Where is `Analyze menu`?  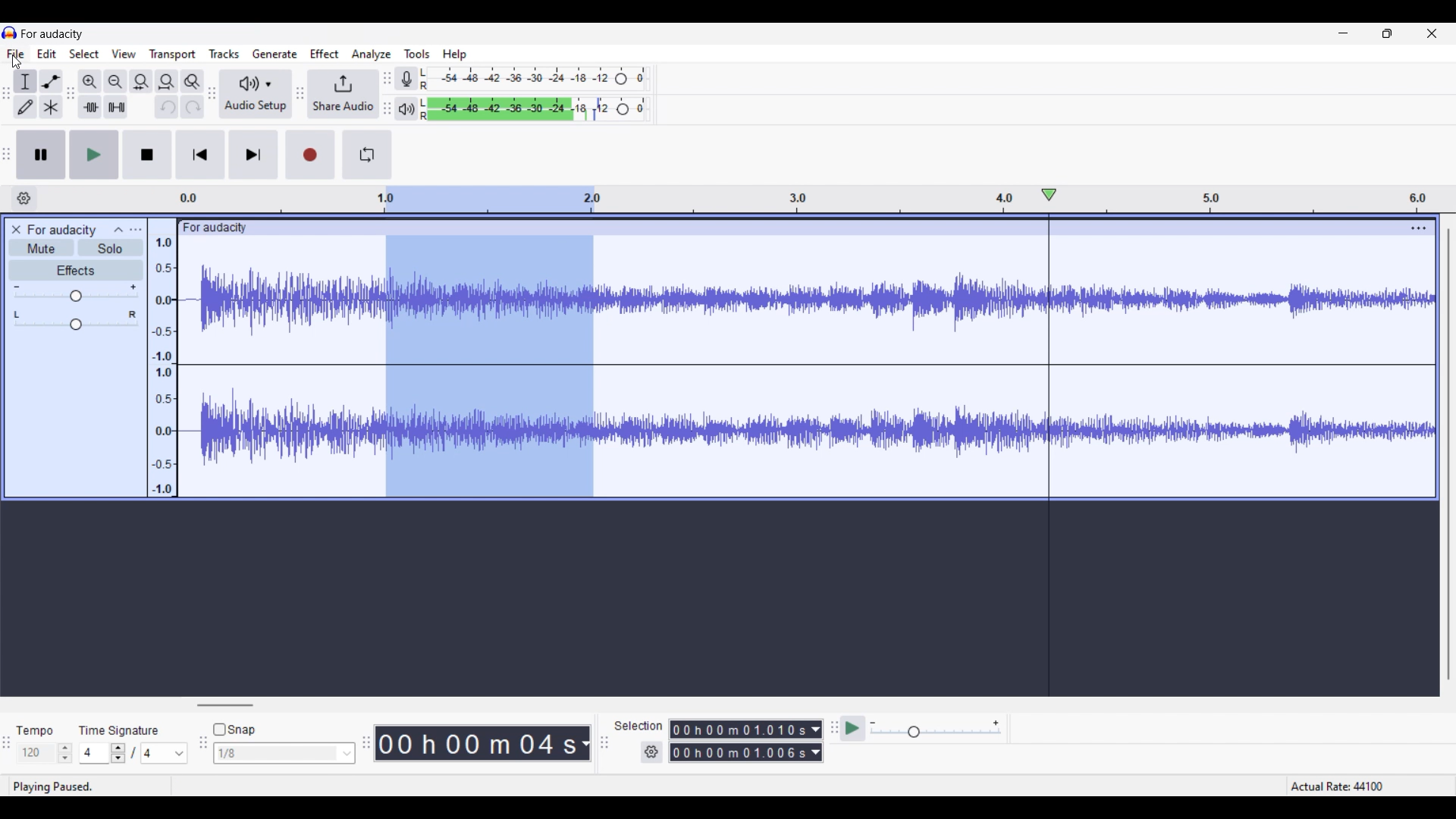
Analyze menu is located at coordinates (371, 55).